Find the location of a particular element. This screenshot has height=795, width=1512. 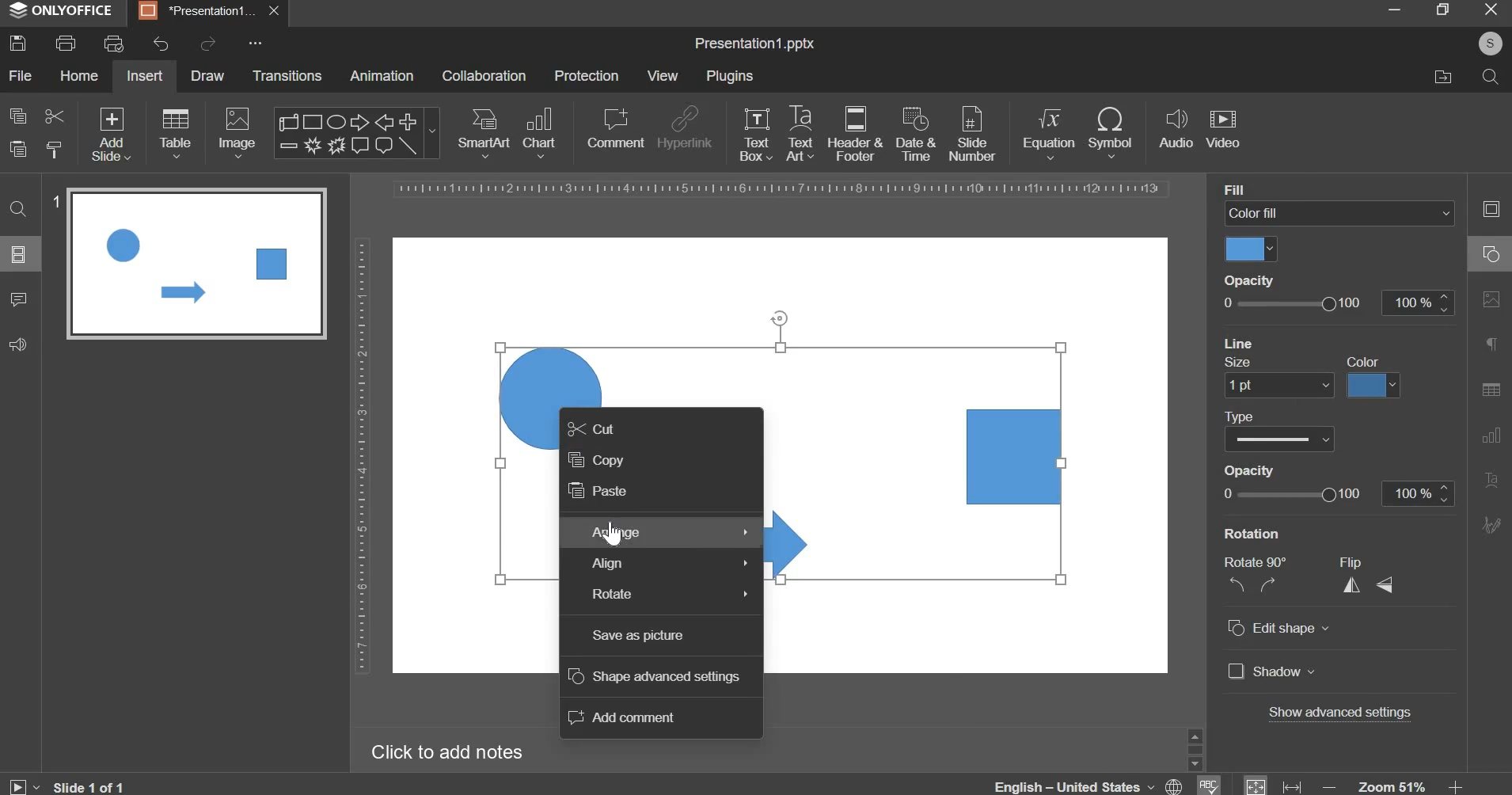

audio is located at coordinates (1176, 130).